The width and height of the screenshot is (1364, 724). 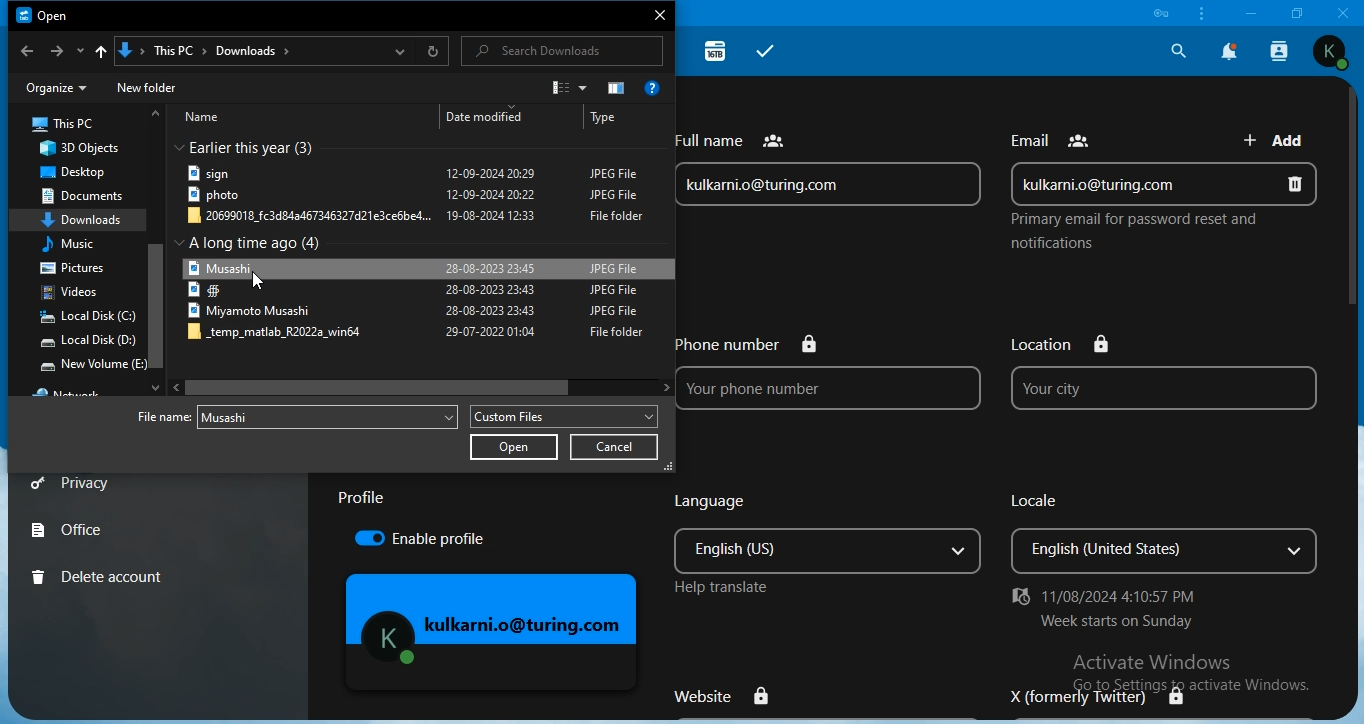 I want to click on , so click(x=82, y=52).